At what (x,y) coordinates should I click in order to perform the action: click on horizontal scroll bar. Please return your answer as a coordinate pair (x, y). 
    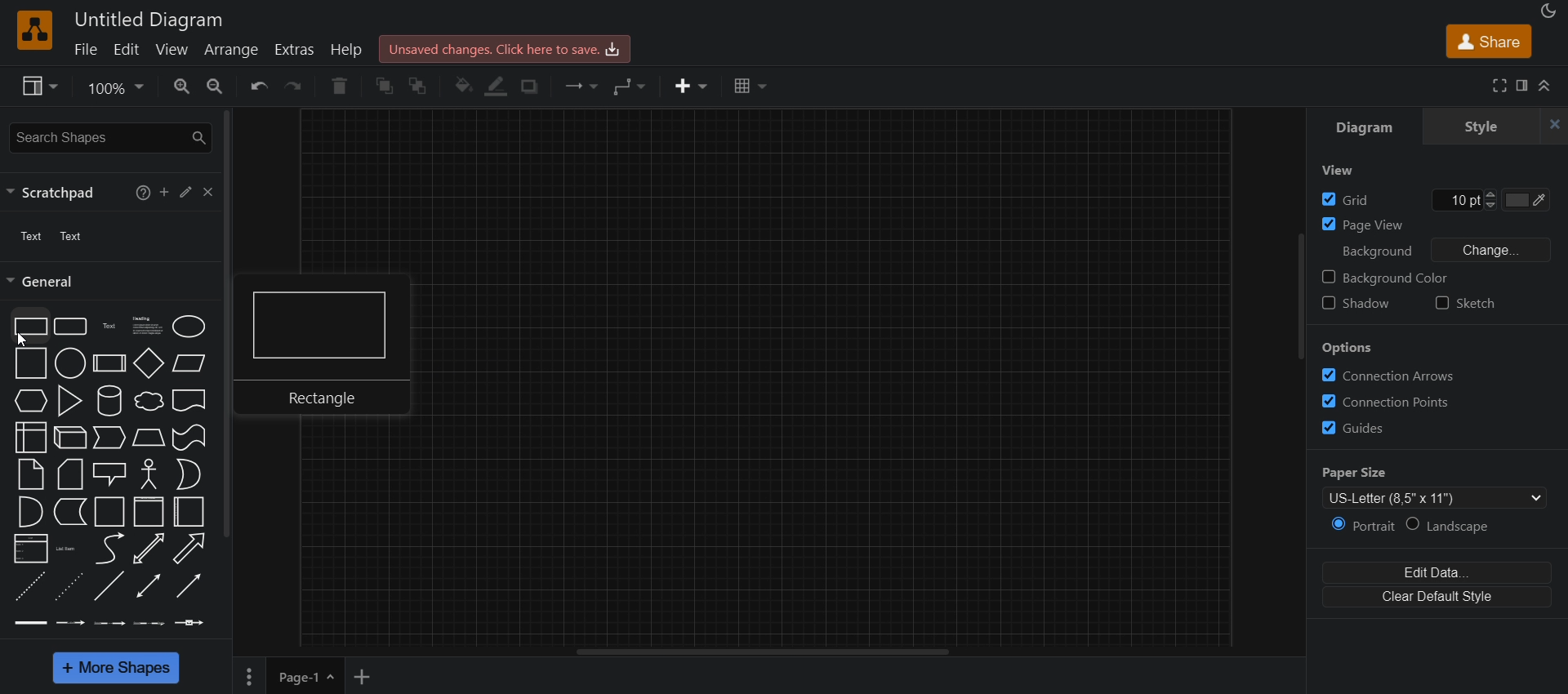
    Looking at the image, I should click on (765, 652).